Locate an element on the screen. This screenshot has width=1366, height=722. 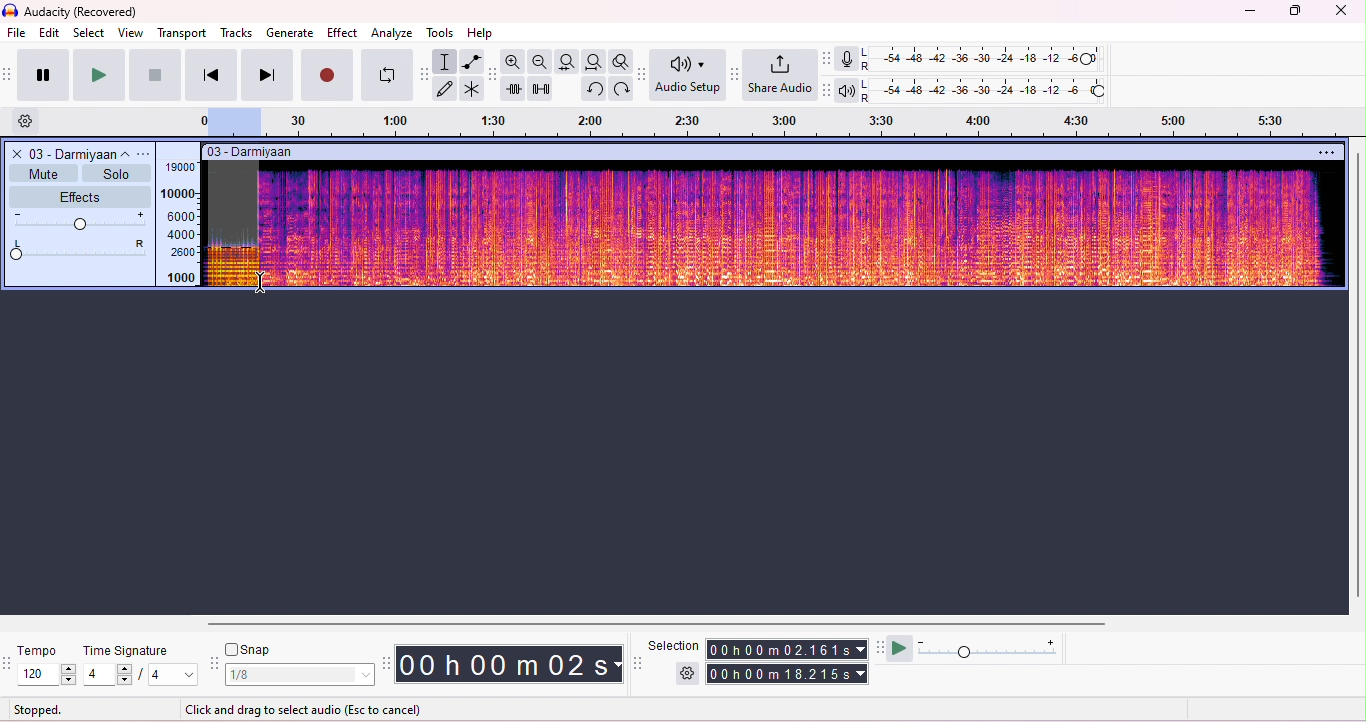
play at speed tool bar is located at coordinates (879, 646).